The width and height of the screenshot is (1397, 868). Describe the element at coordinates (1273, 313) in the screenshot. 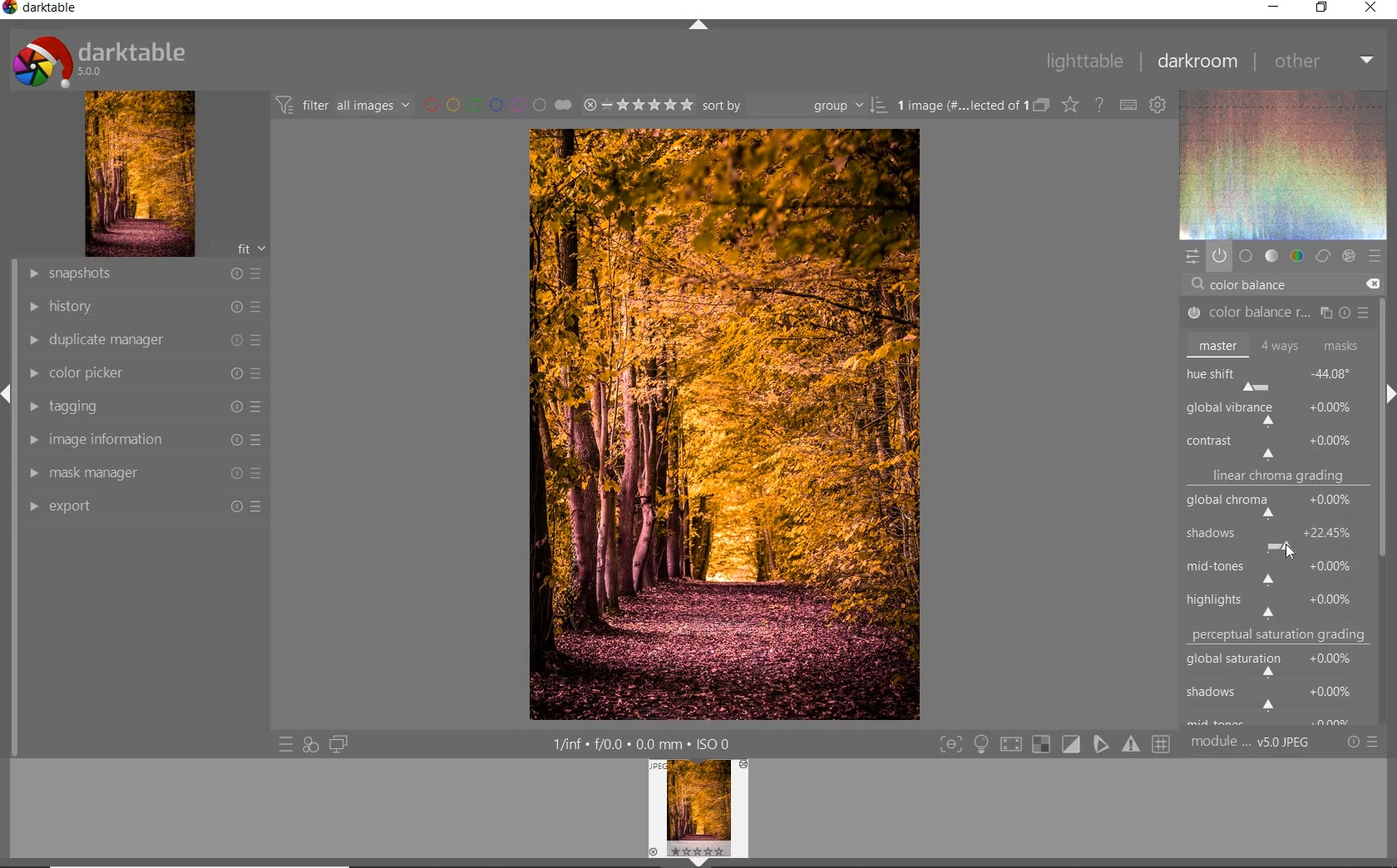

I see `COLOR BALANCE RGB` at that location.